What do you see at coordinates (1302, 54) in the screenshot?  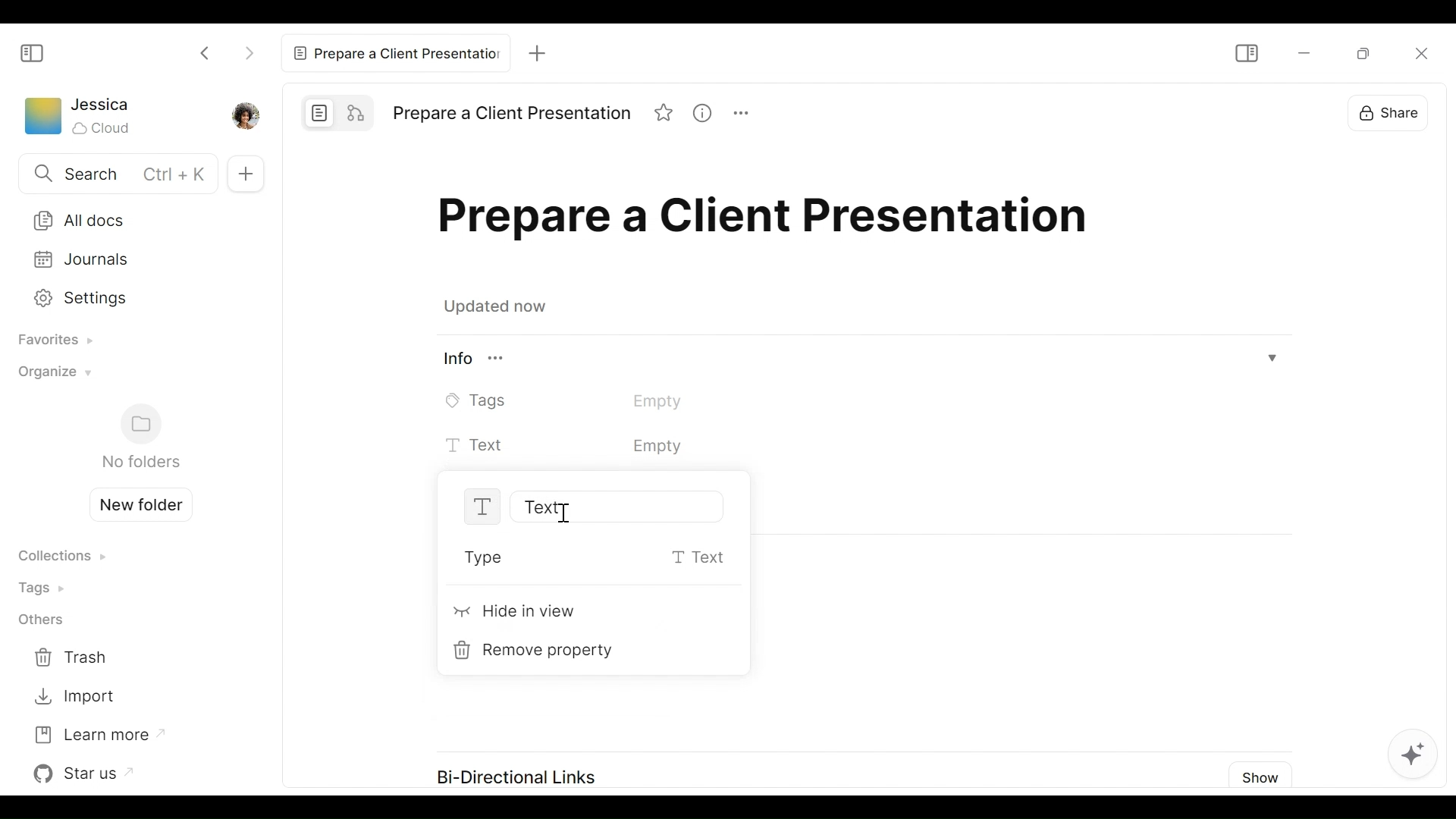 I see `minimize` at bounding box center [1302, 54].